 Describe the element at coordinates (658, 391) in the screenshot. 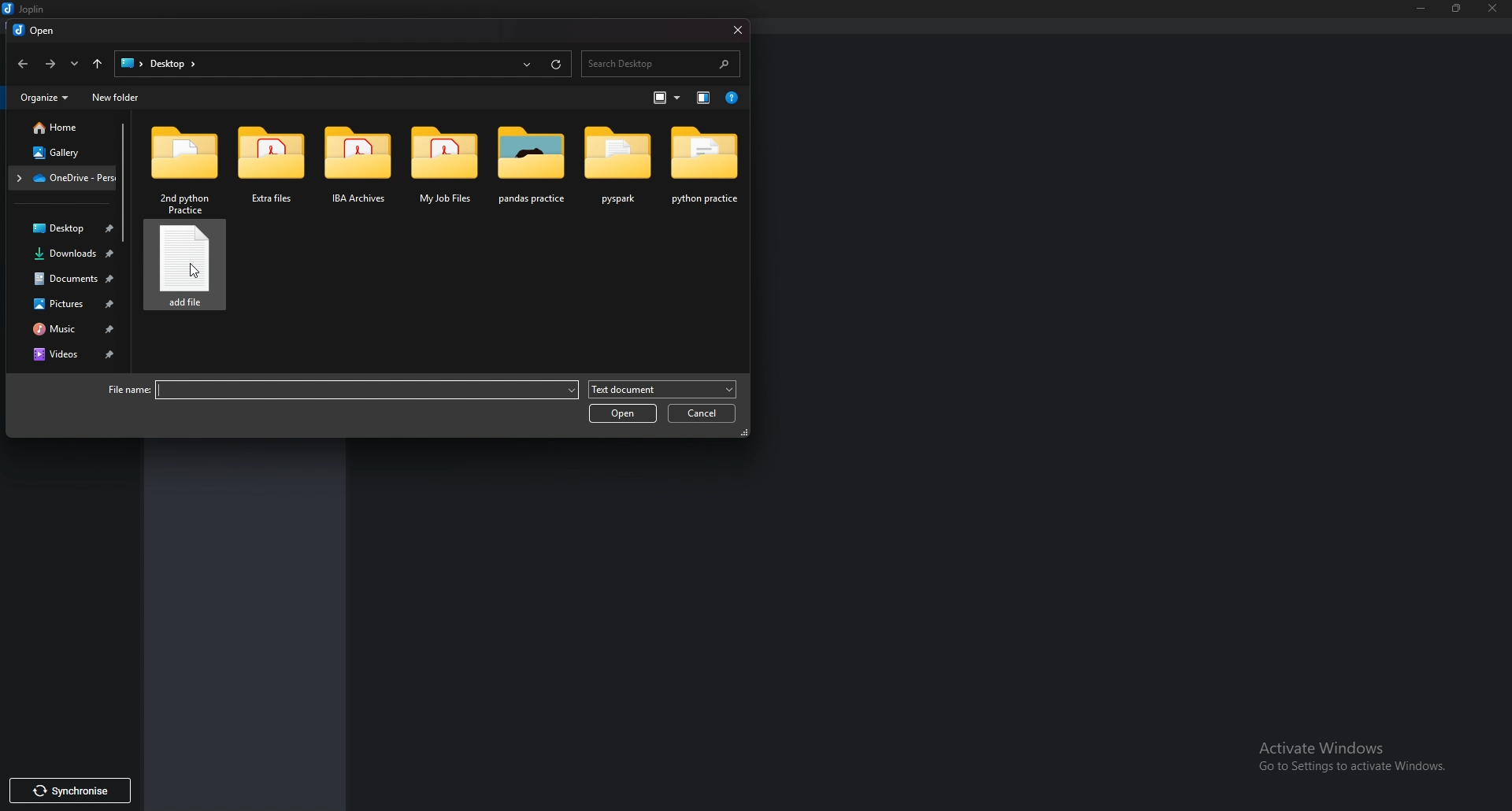

I see `Text document` at that location.